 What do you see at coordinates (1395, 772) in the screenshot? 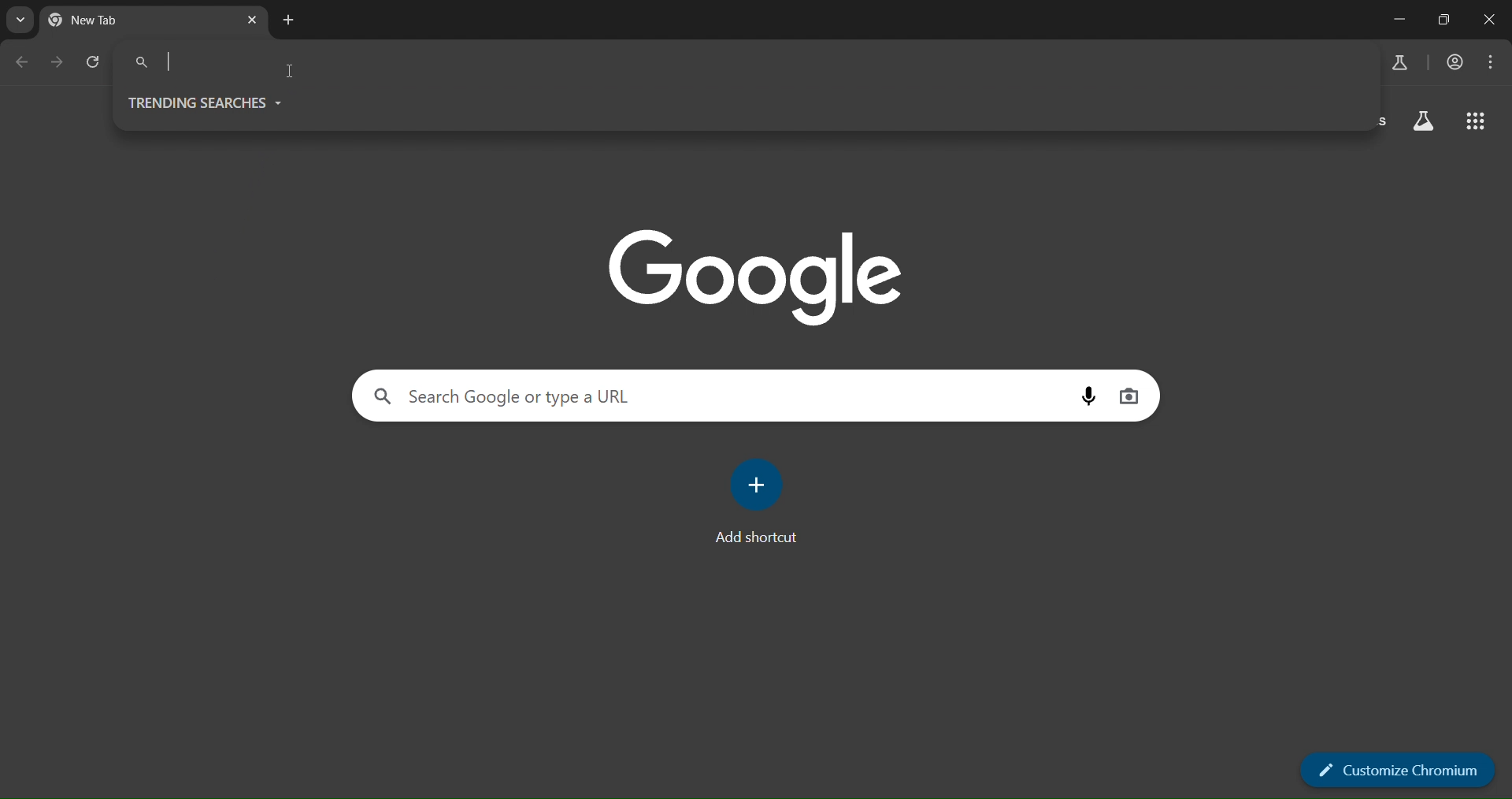
I see `customize chromium` at bounding box center [1395, 772].